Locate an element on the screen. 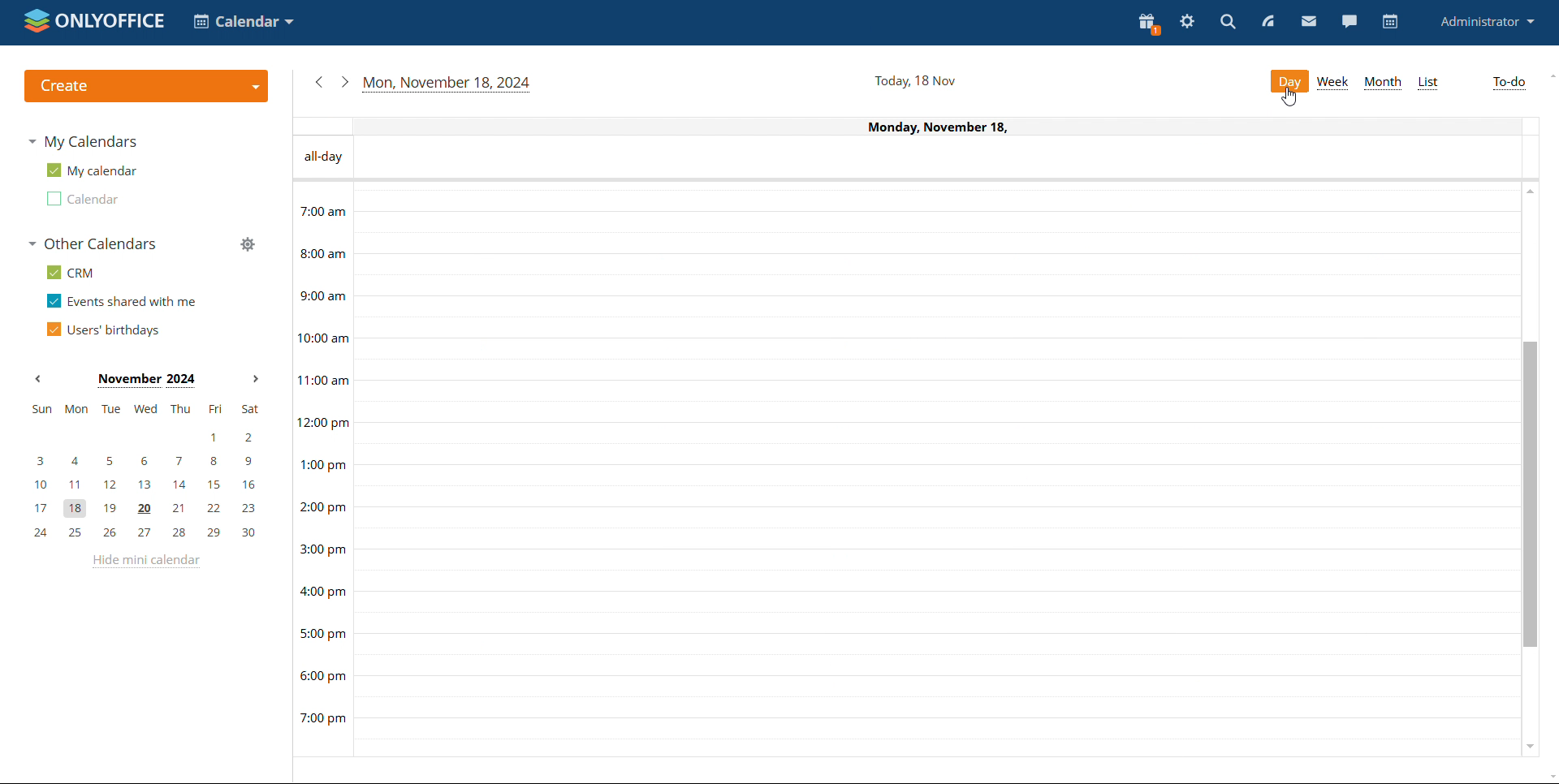  cursor is located at coordinates (1291, 97).